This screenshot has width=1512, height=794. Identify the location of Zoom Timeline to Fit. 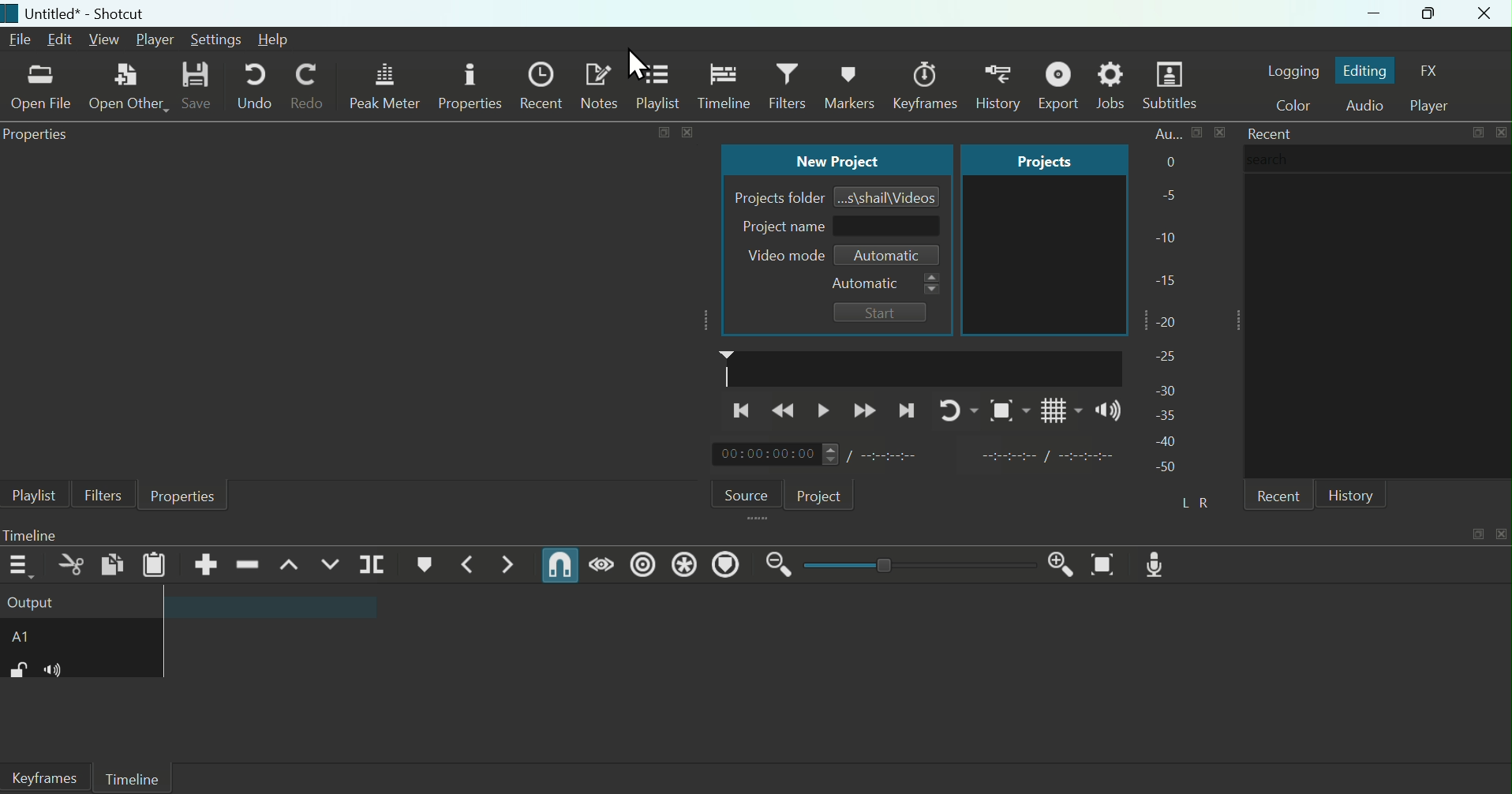
(1108, 564).